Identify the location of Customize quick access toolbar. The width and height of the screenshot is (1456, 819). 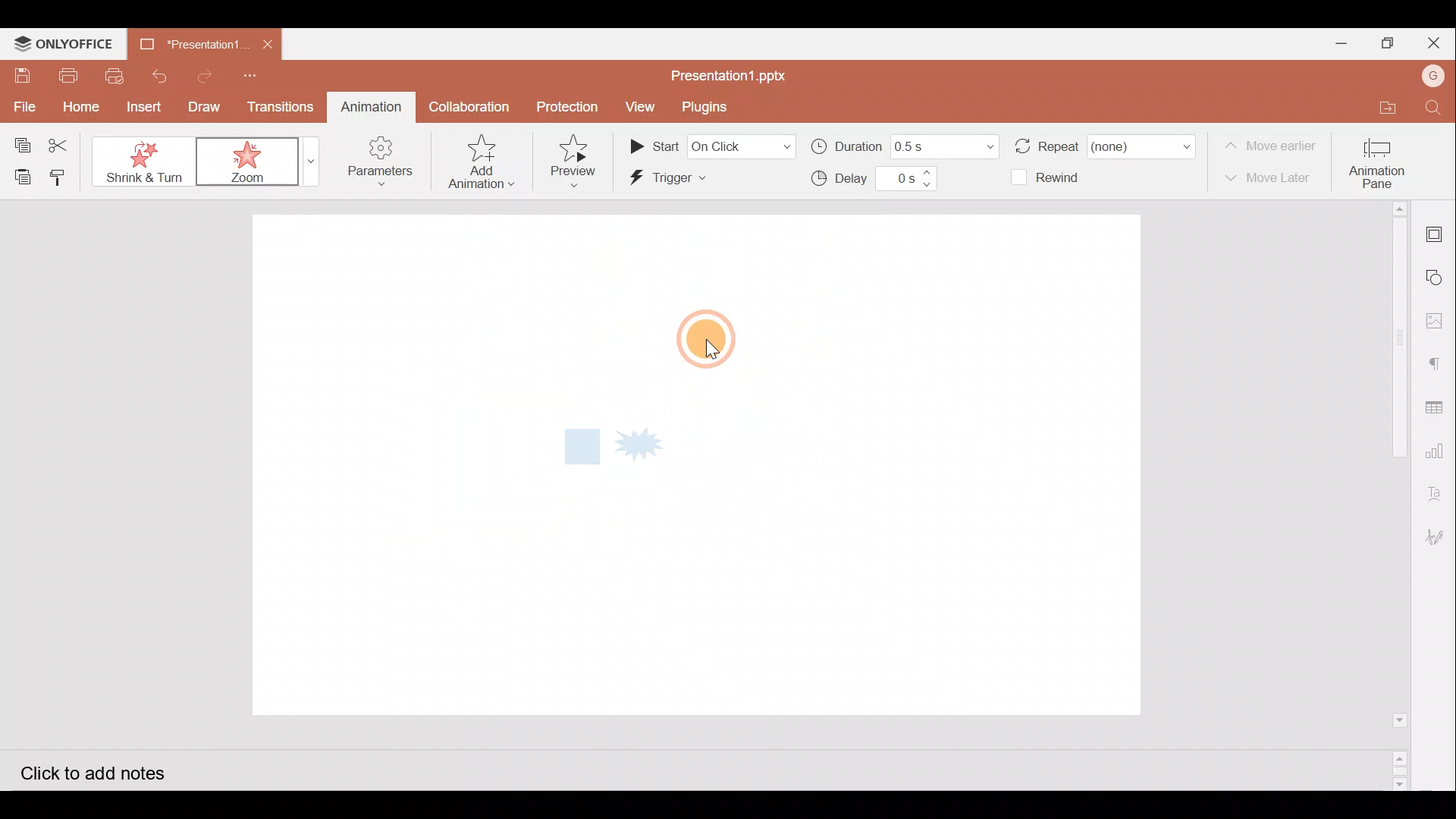
(247, 73).